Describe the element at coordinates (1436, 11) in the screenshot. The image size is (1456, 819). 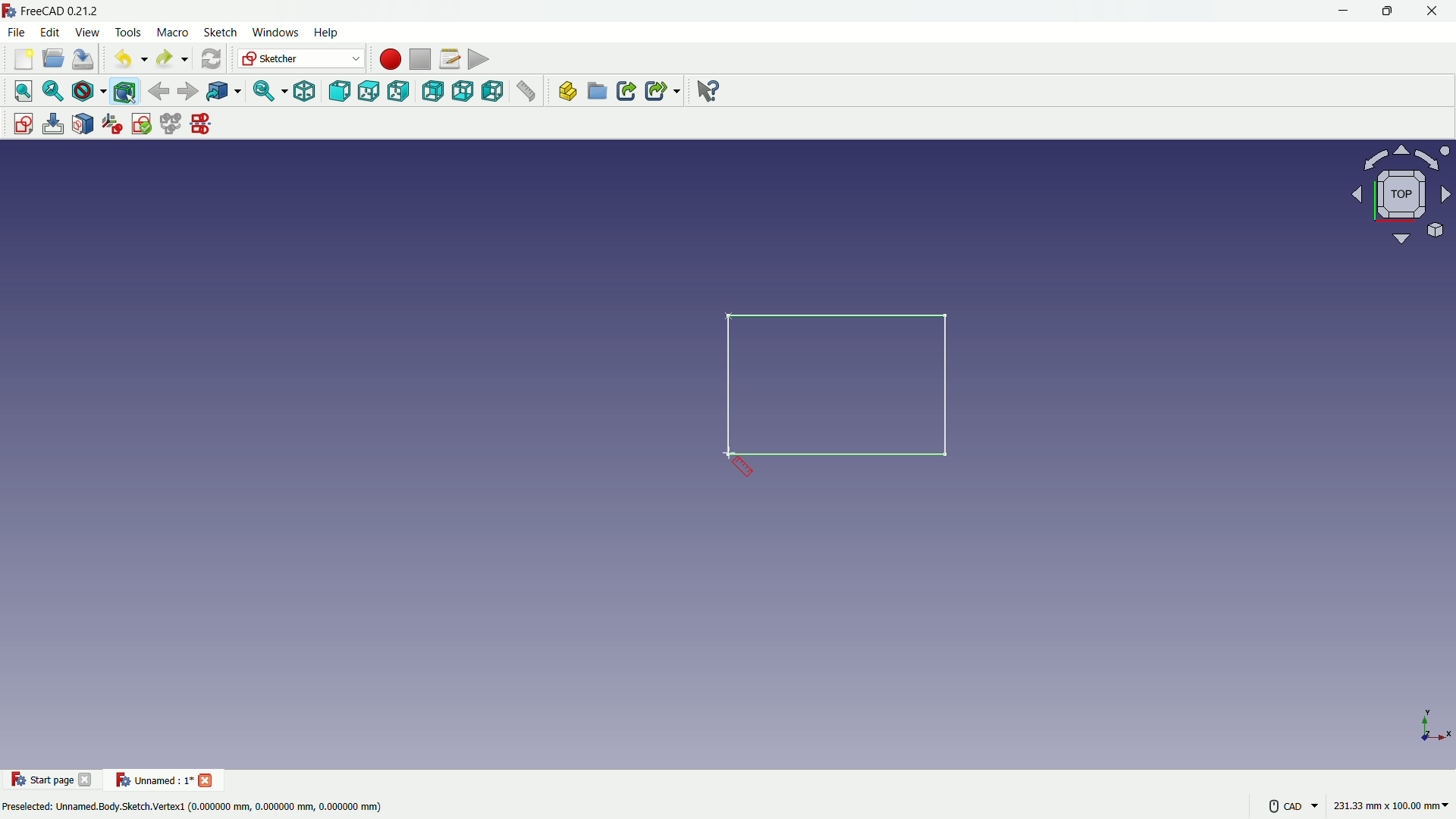
I see `close app` at that location.